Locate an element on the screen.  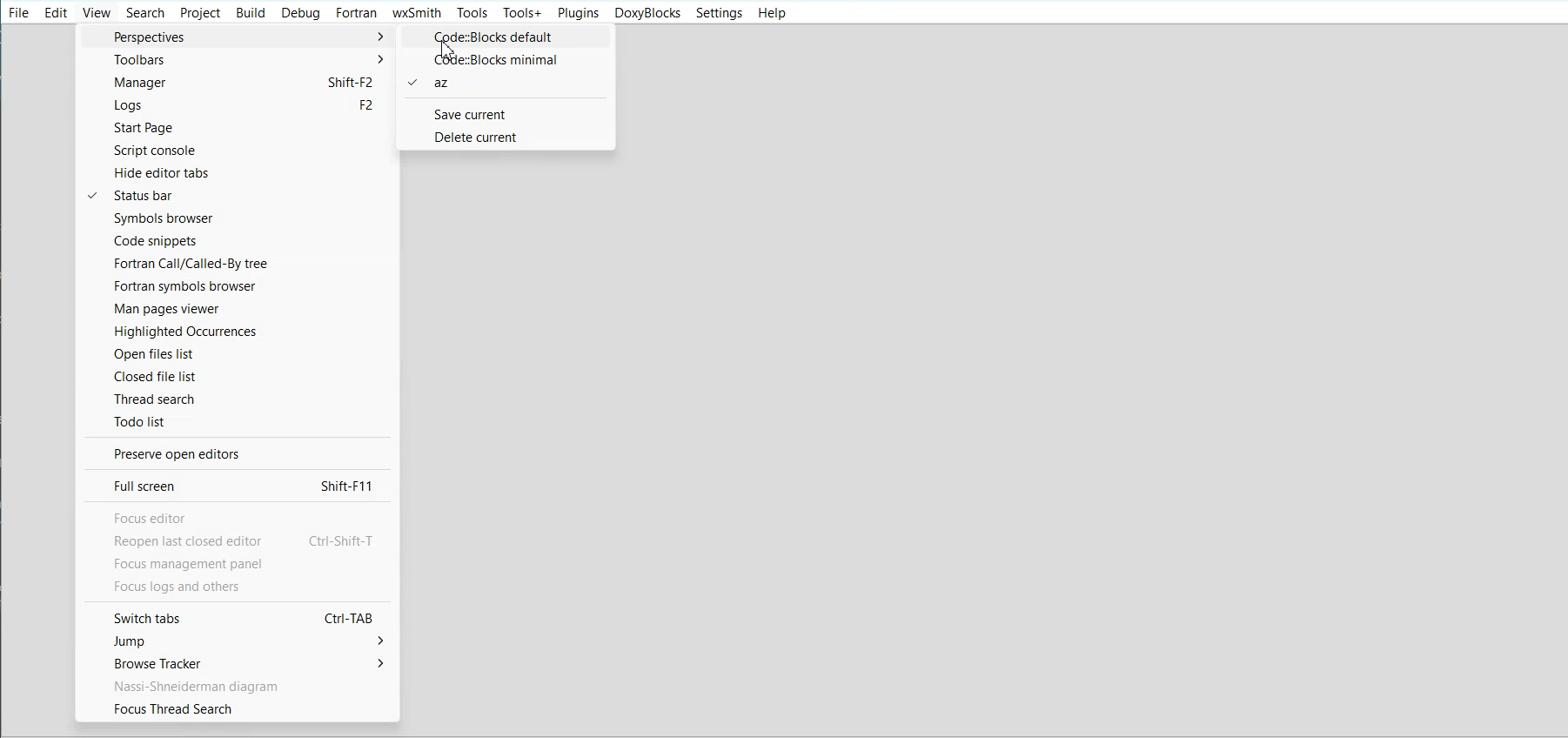
Save current is located at coordinates (501, 113).